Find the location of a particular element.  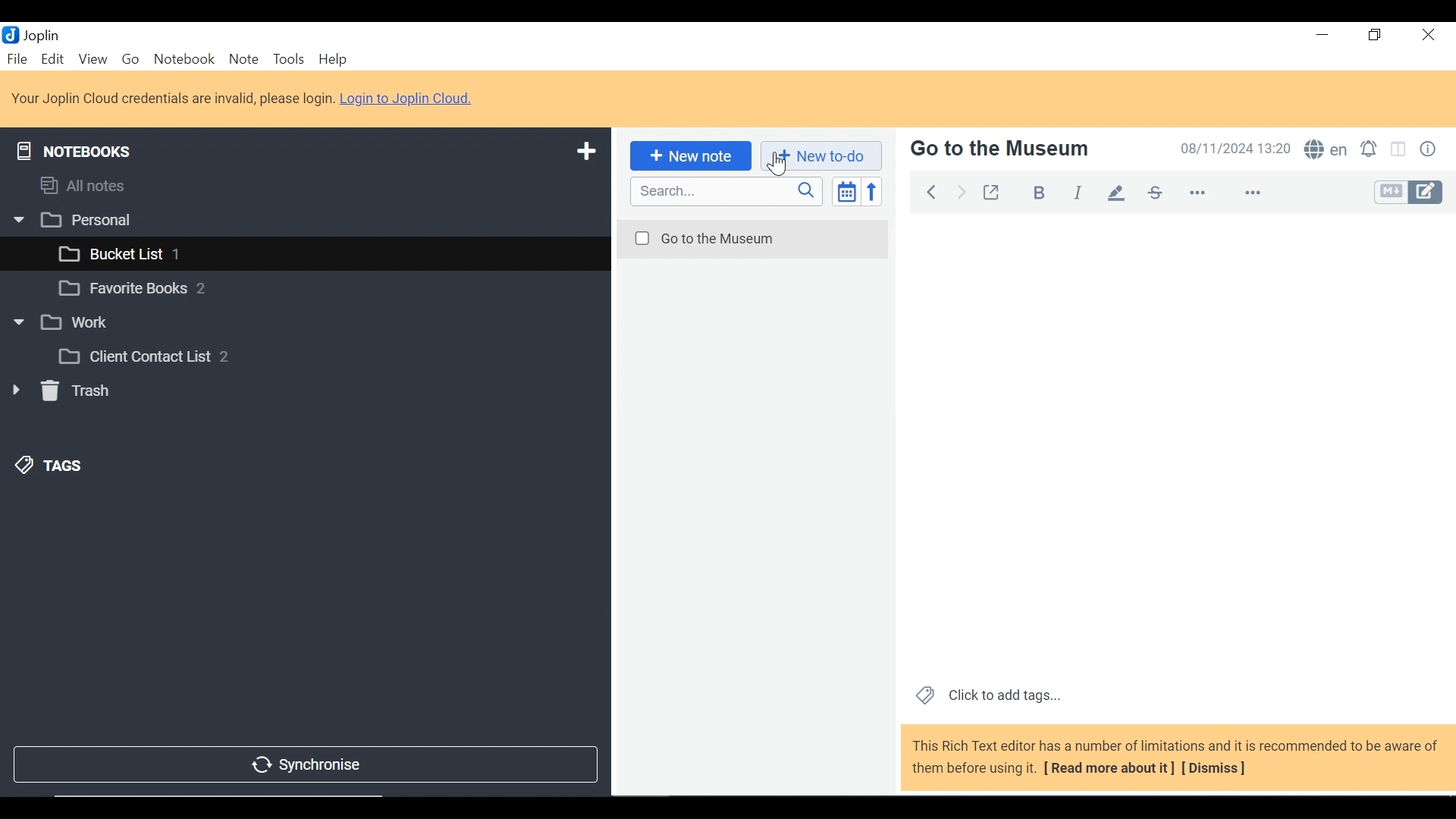

Toggle External editing is located at coordinates (995, 192).